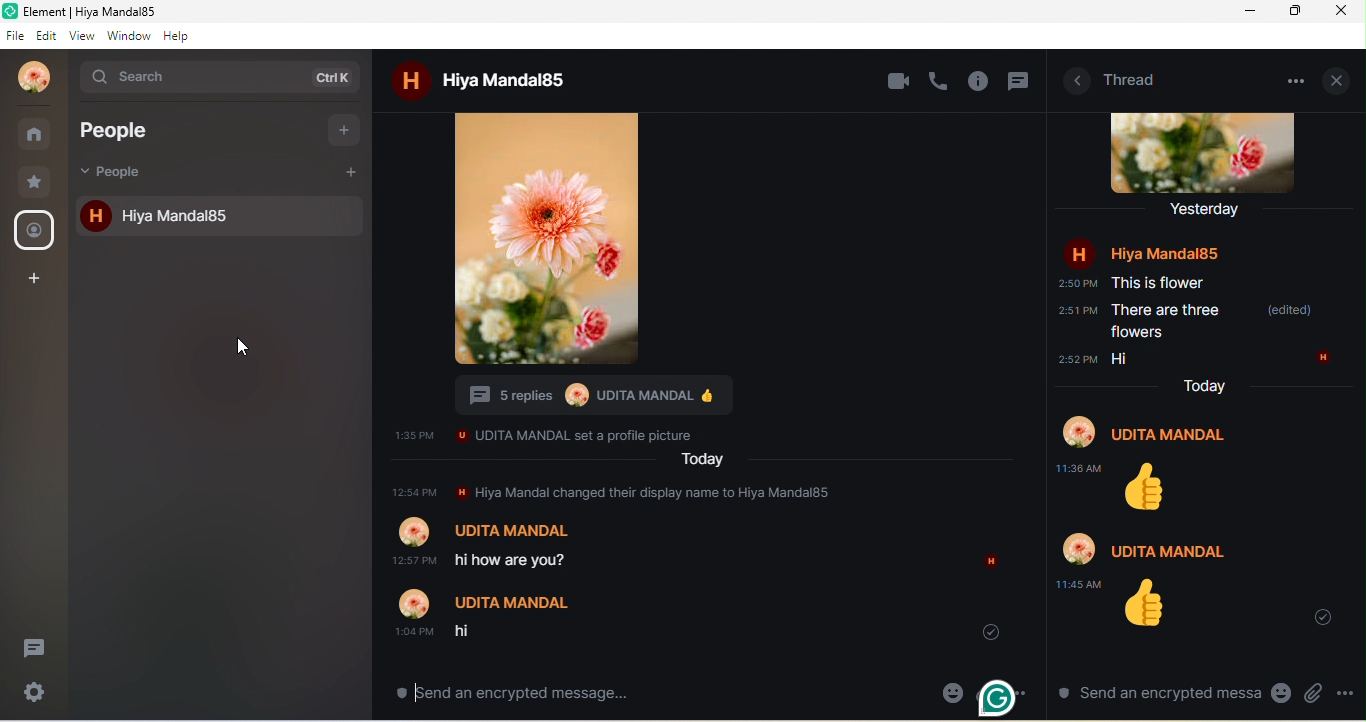 The width and height of the screenshot is (1366, 722). What do you see at coordinates (1280, 695) in the screenshot?
I see `emoji` at bounding box center [1280, 695].